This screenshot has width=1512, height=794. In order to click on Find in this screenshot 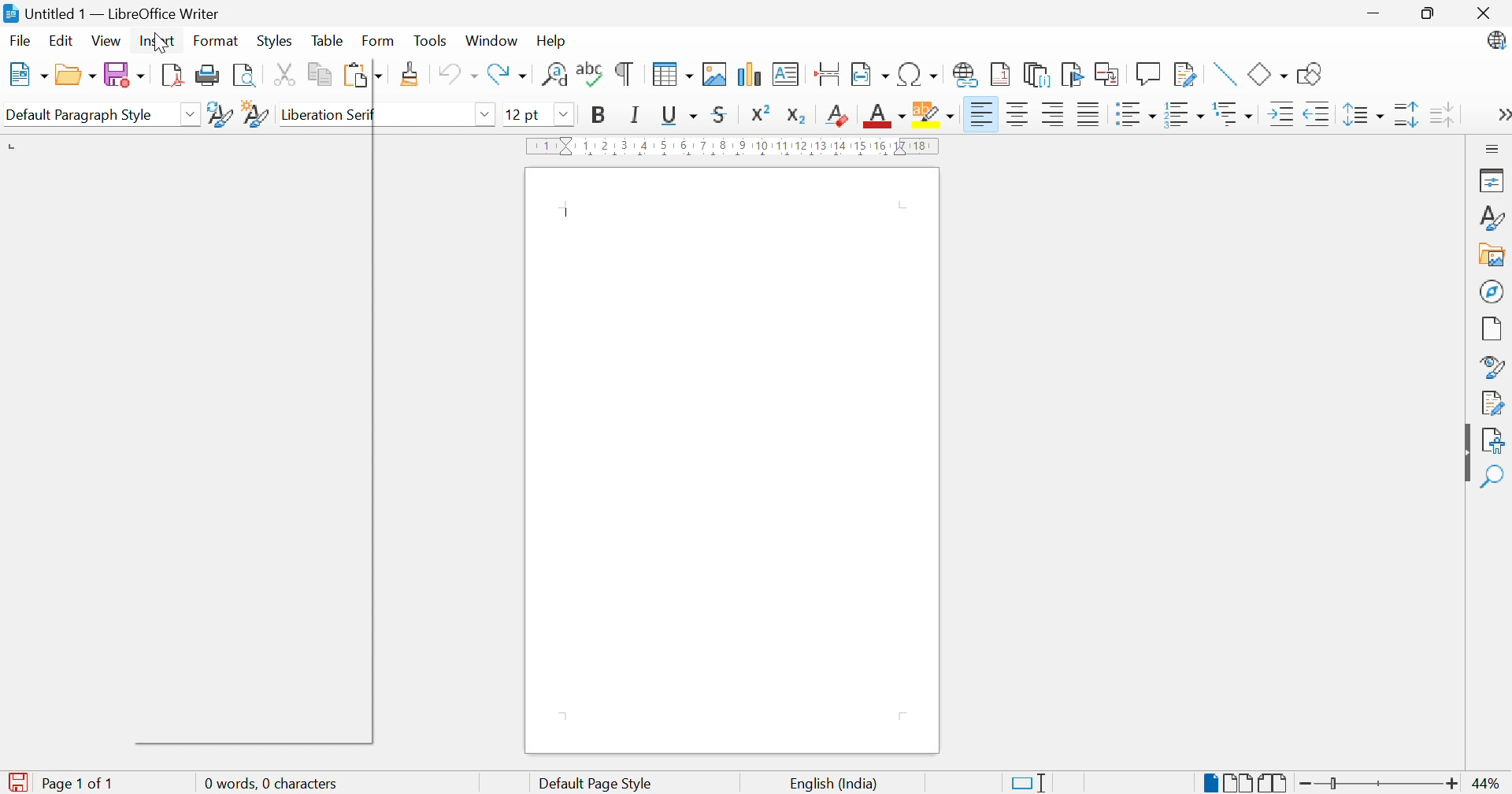, I will do `click(1494, 478)`.